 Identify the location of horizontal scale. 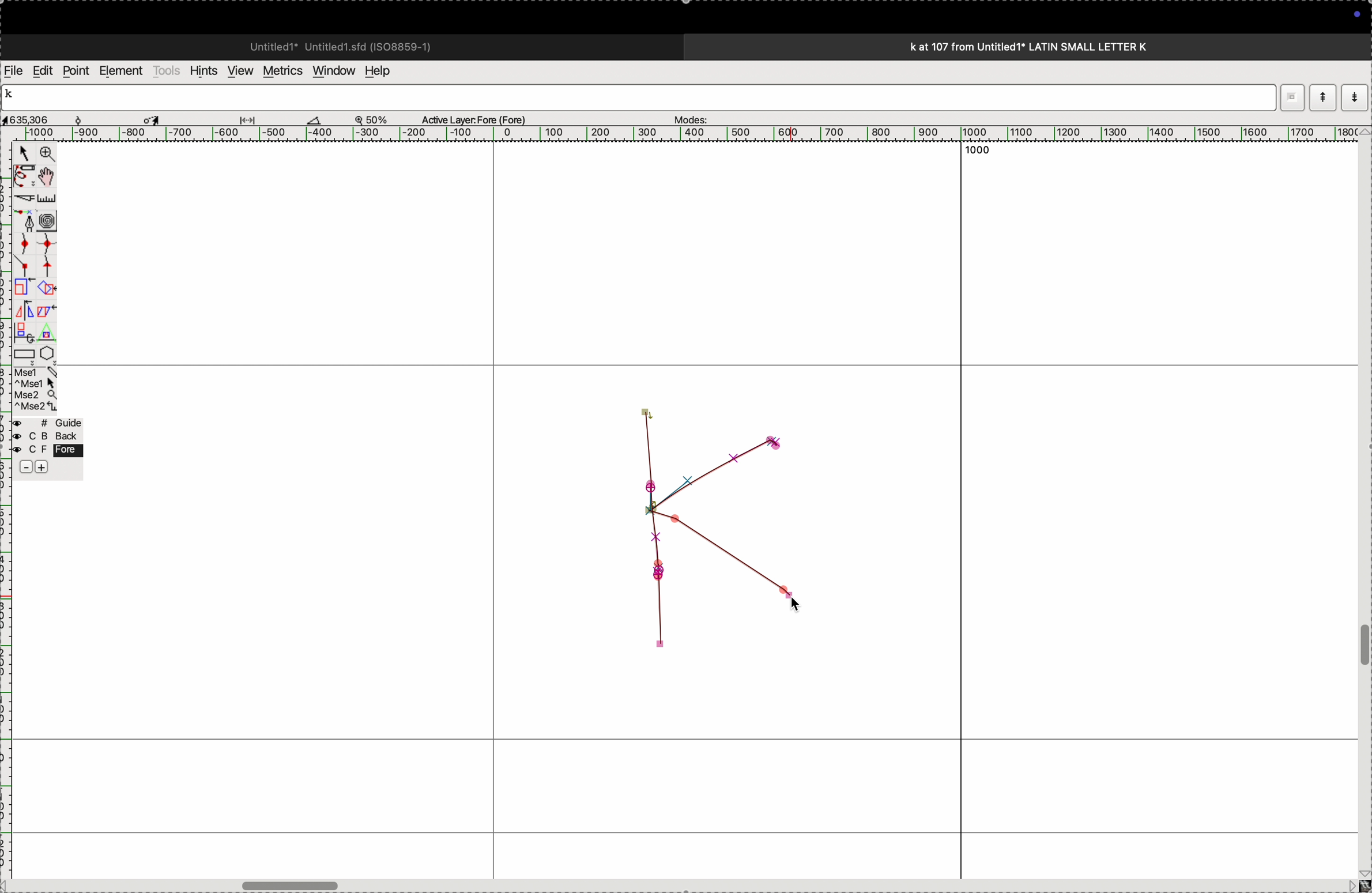
(673, 134).